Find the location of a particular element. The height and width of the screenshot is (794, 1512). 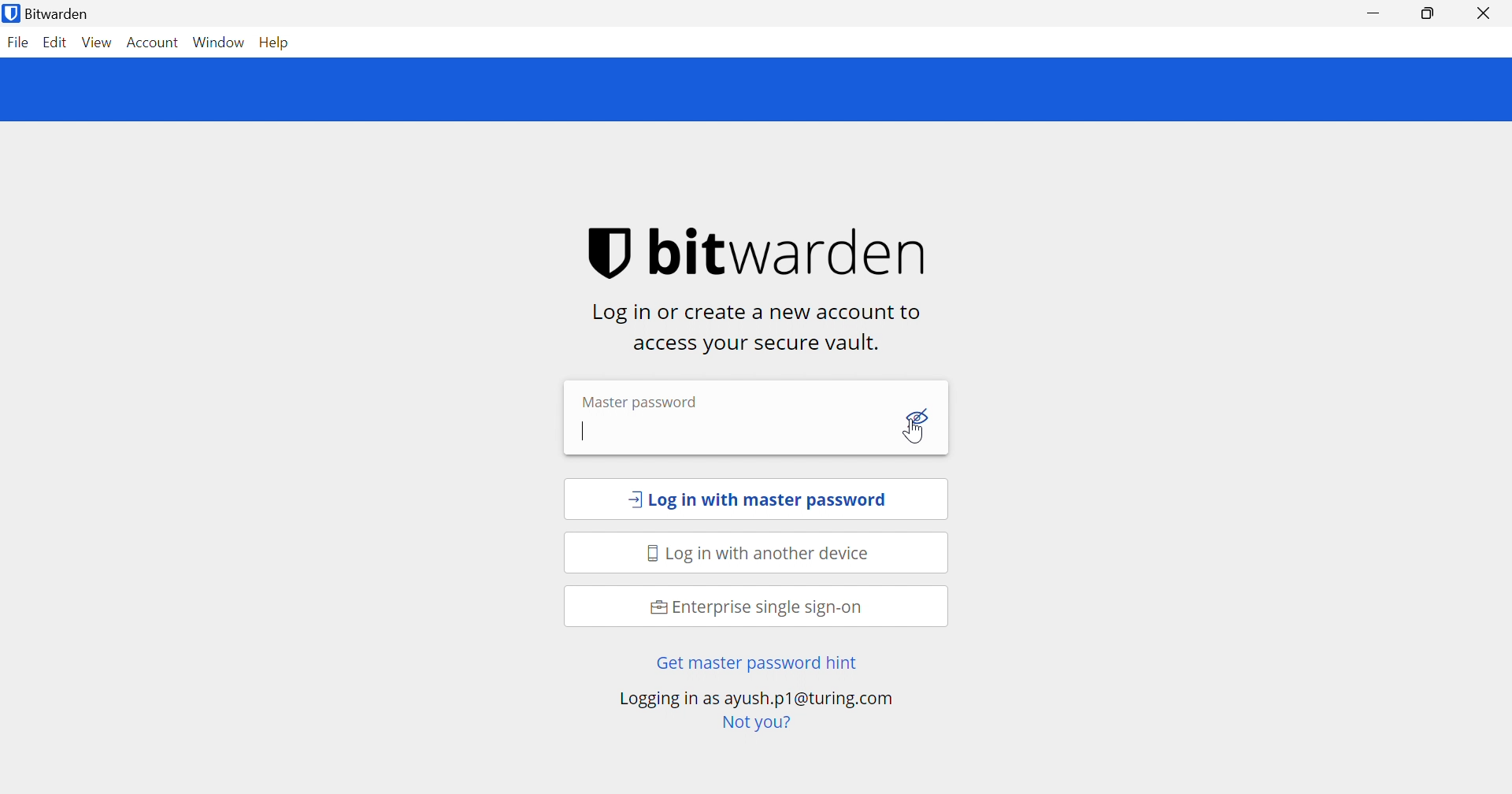

Log in with another device is located at coordinates (762, 555).